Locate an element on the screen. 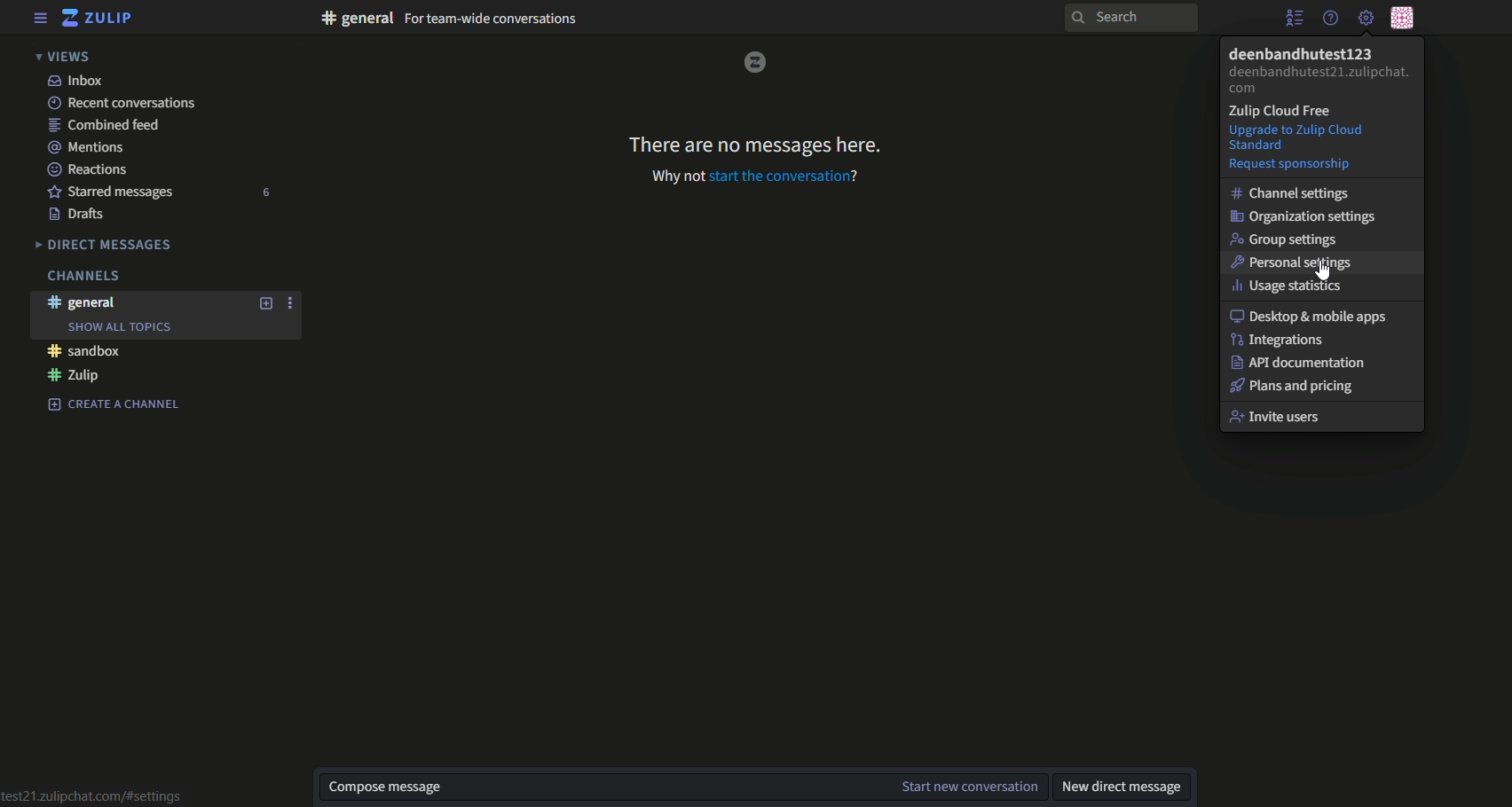 The image size is (1512, 807). #general is located at coordinates (85, 302).